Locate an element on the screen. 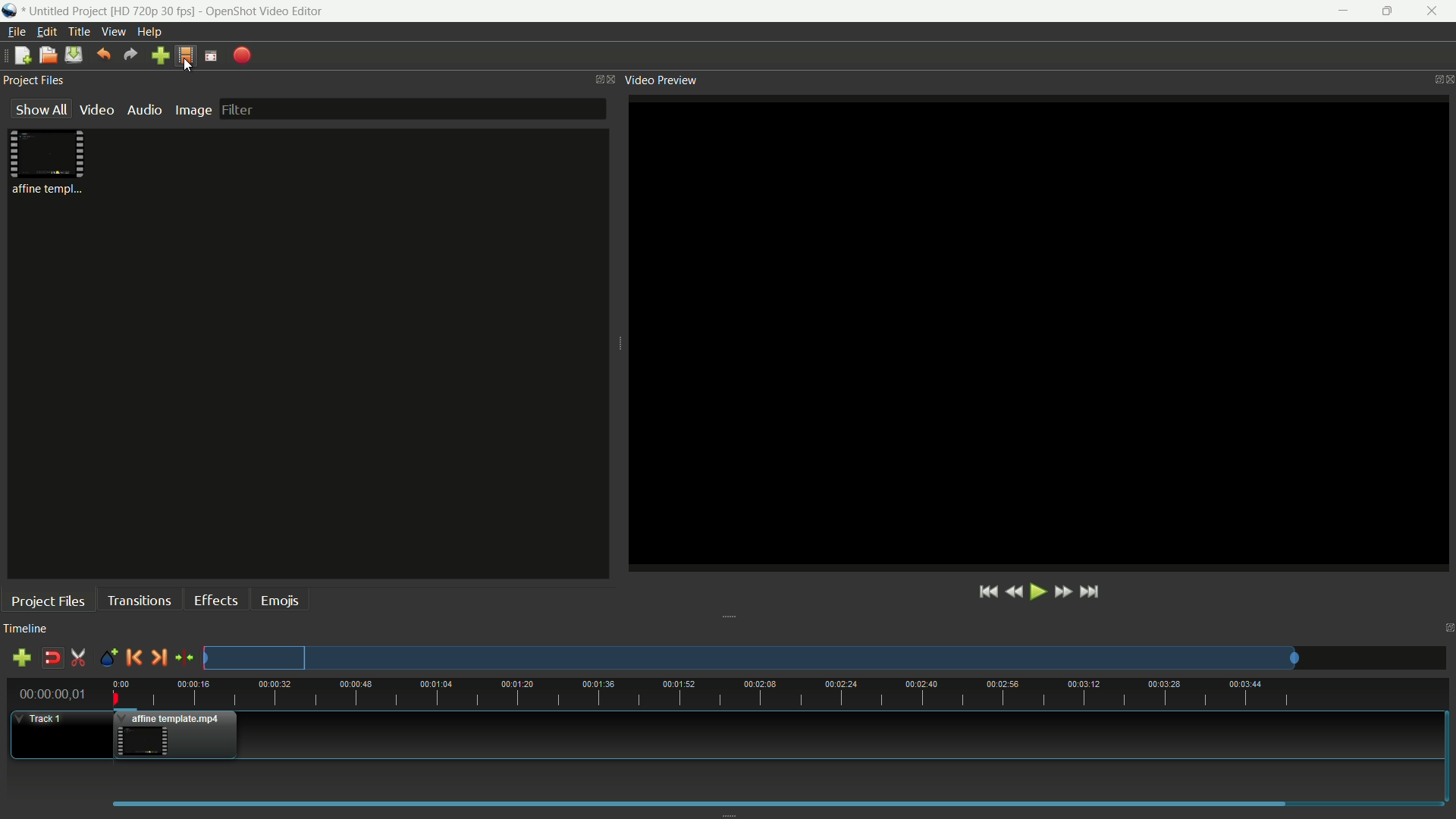 This screenshot has width=1456, height=819. close timeline is located at coordinates (1447, 629).